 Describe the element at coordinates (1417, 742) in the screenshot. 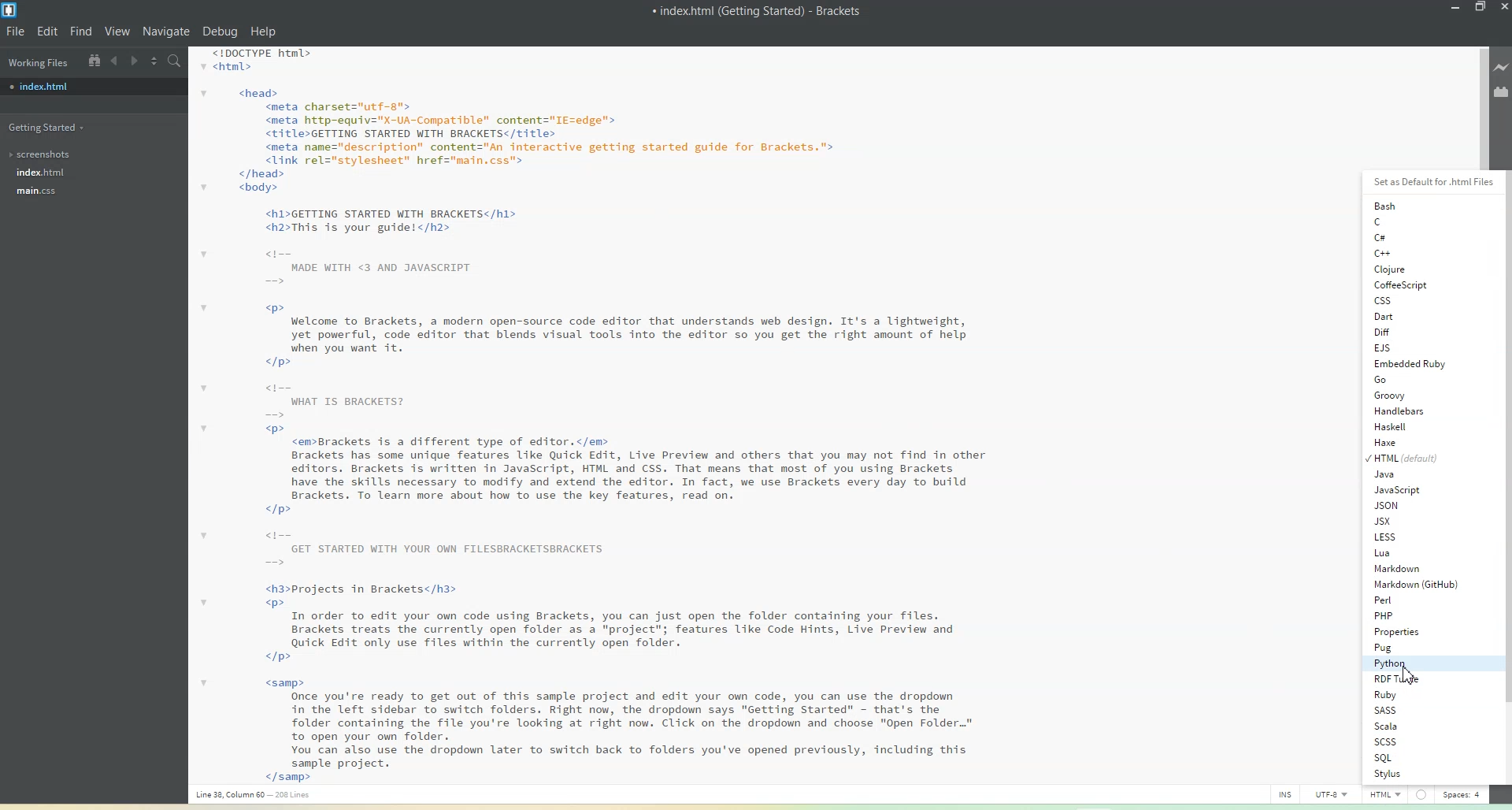

I see `SCSS` at that location.